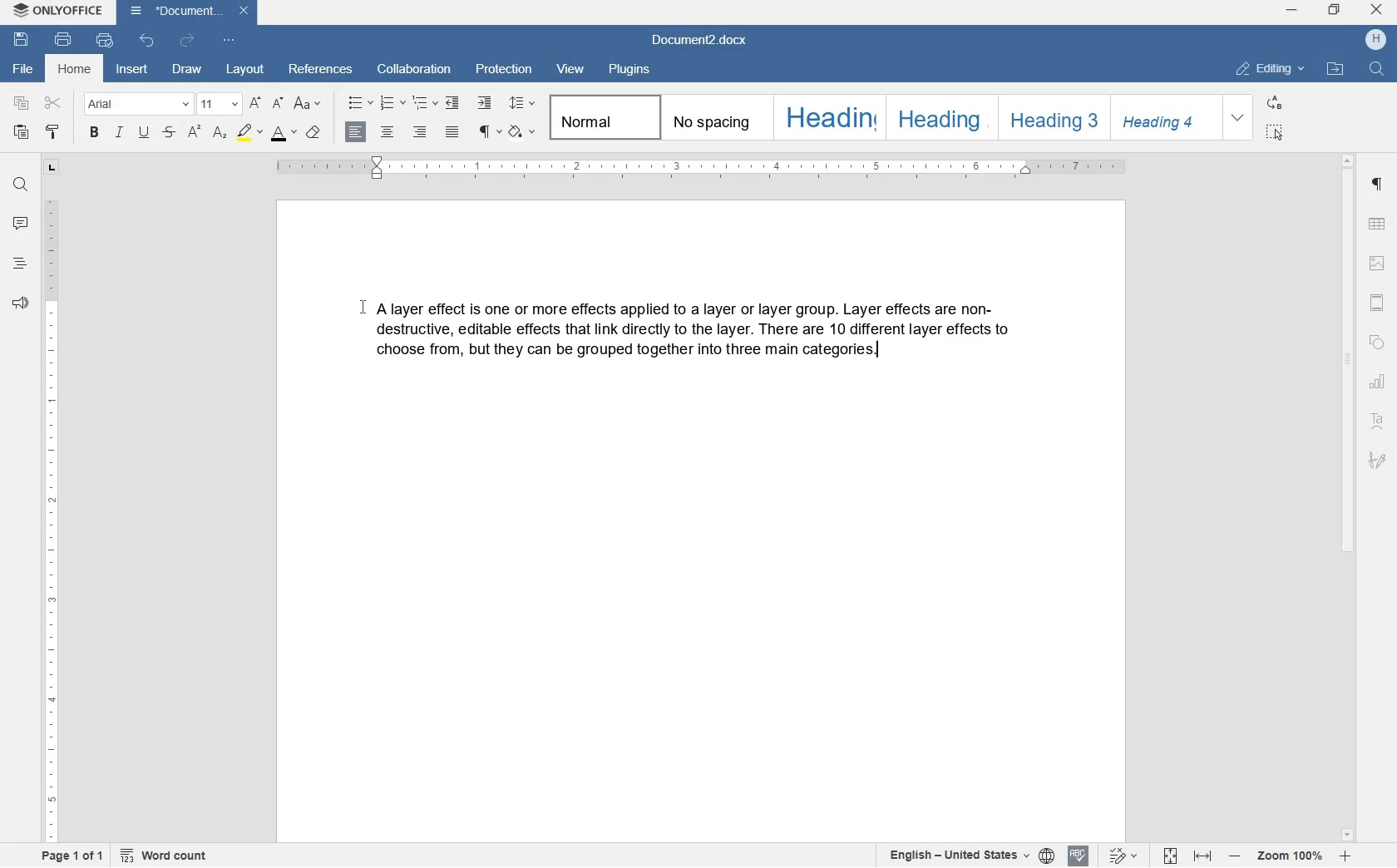 This screenshot has width=1397, height=868. What do you see at coordinates (1378, 11) in the screenshot?
I see `close` at bounding box center [1378, 11].